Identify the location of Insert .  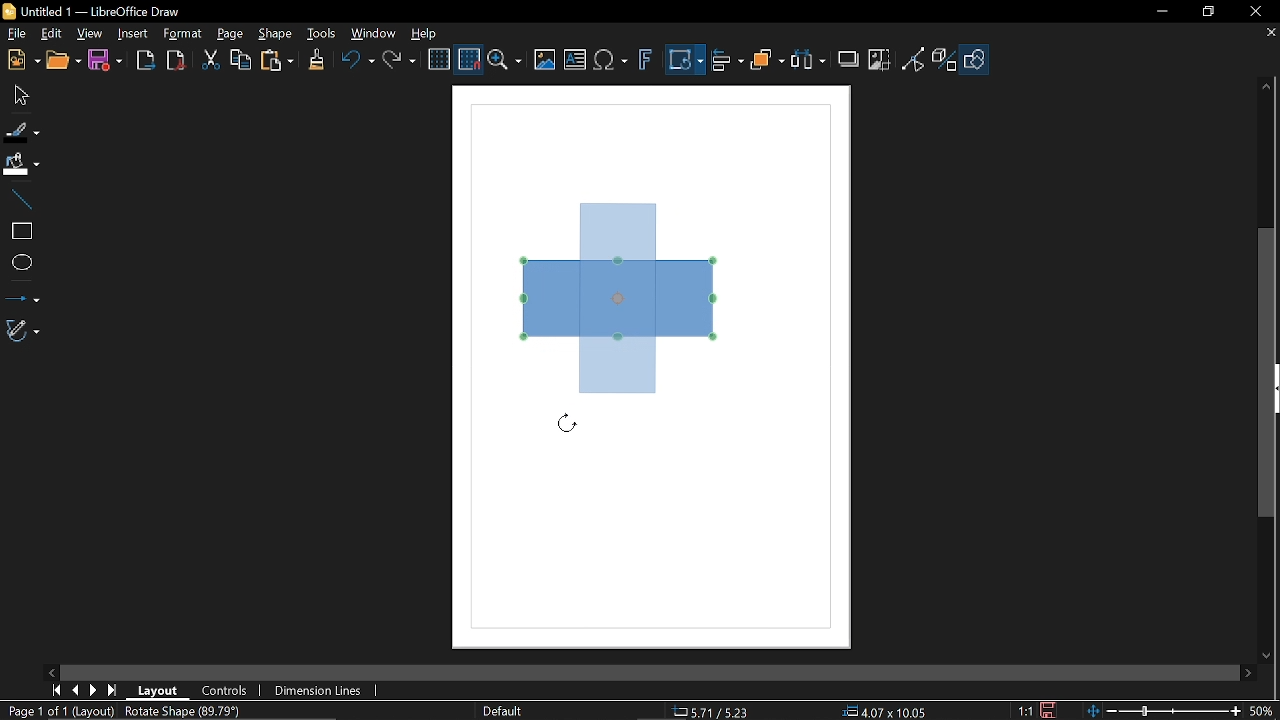
(132, 35).